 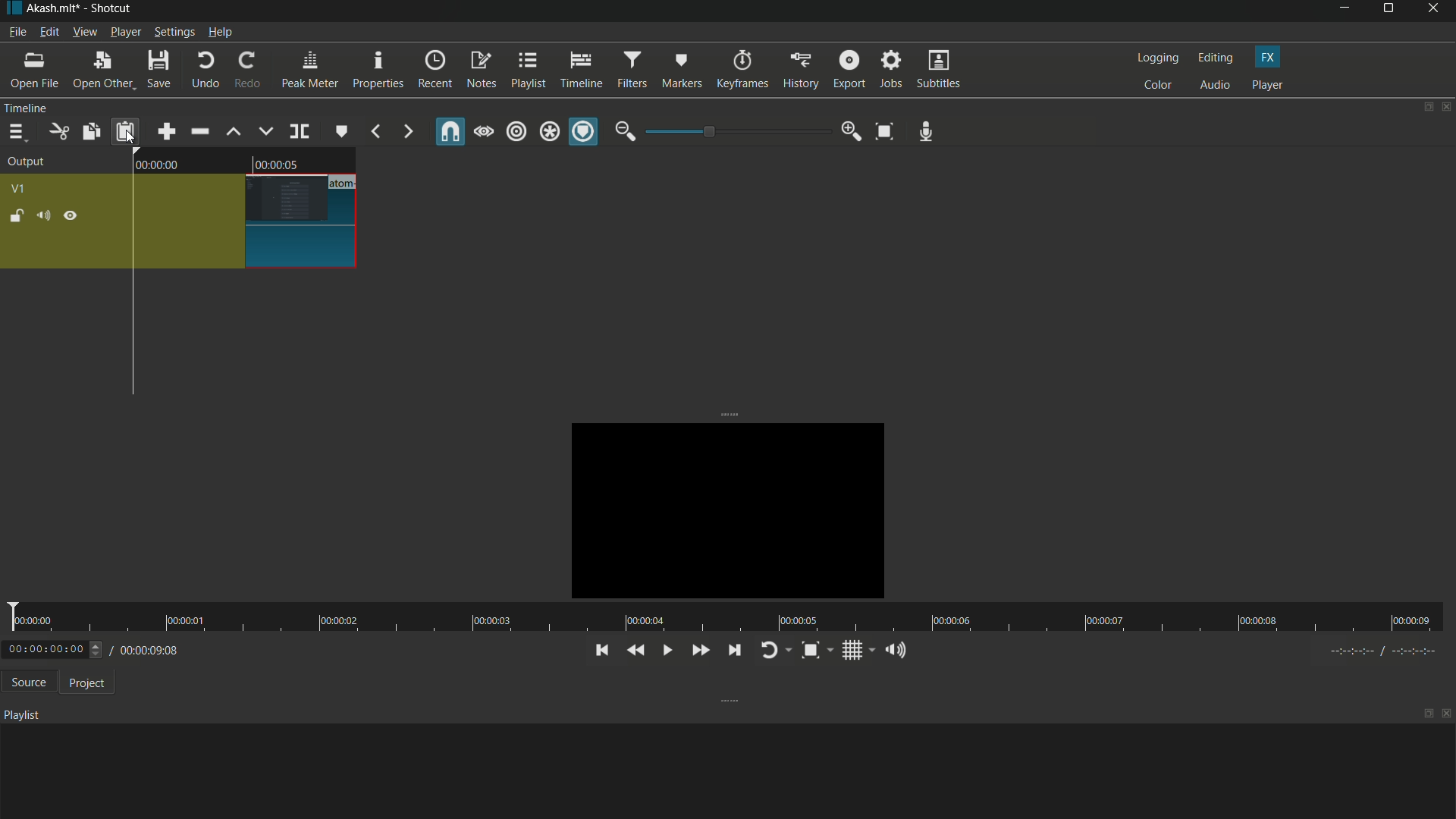 I want to click on paste, so click(x=125, y=133).